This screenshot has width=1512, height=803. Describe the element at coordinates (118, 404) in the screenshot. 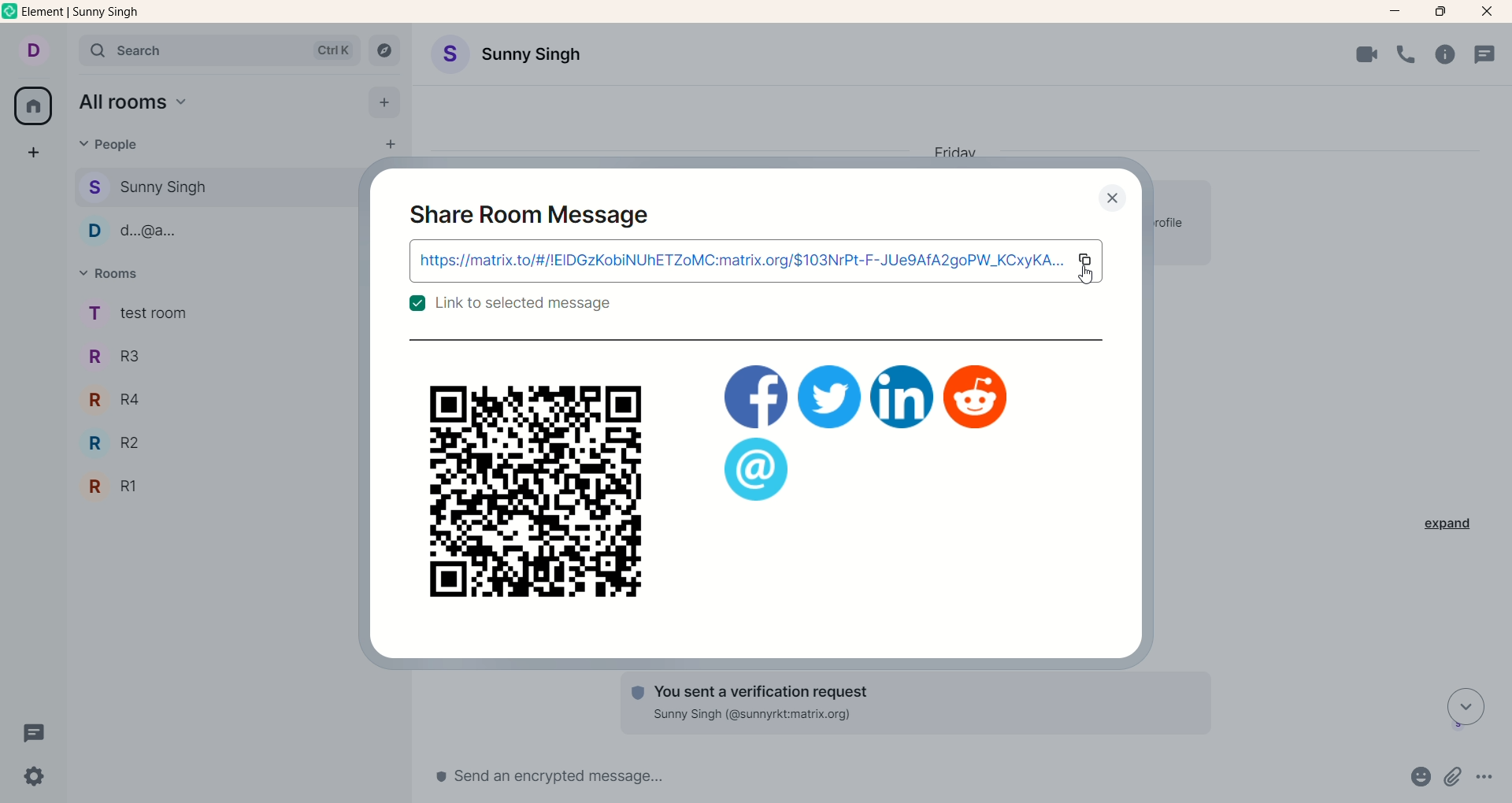

I see `R4` at that location.